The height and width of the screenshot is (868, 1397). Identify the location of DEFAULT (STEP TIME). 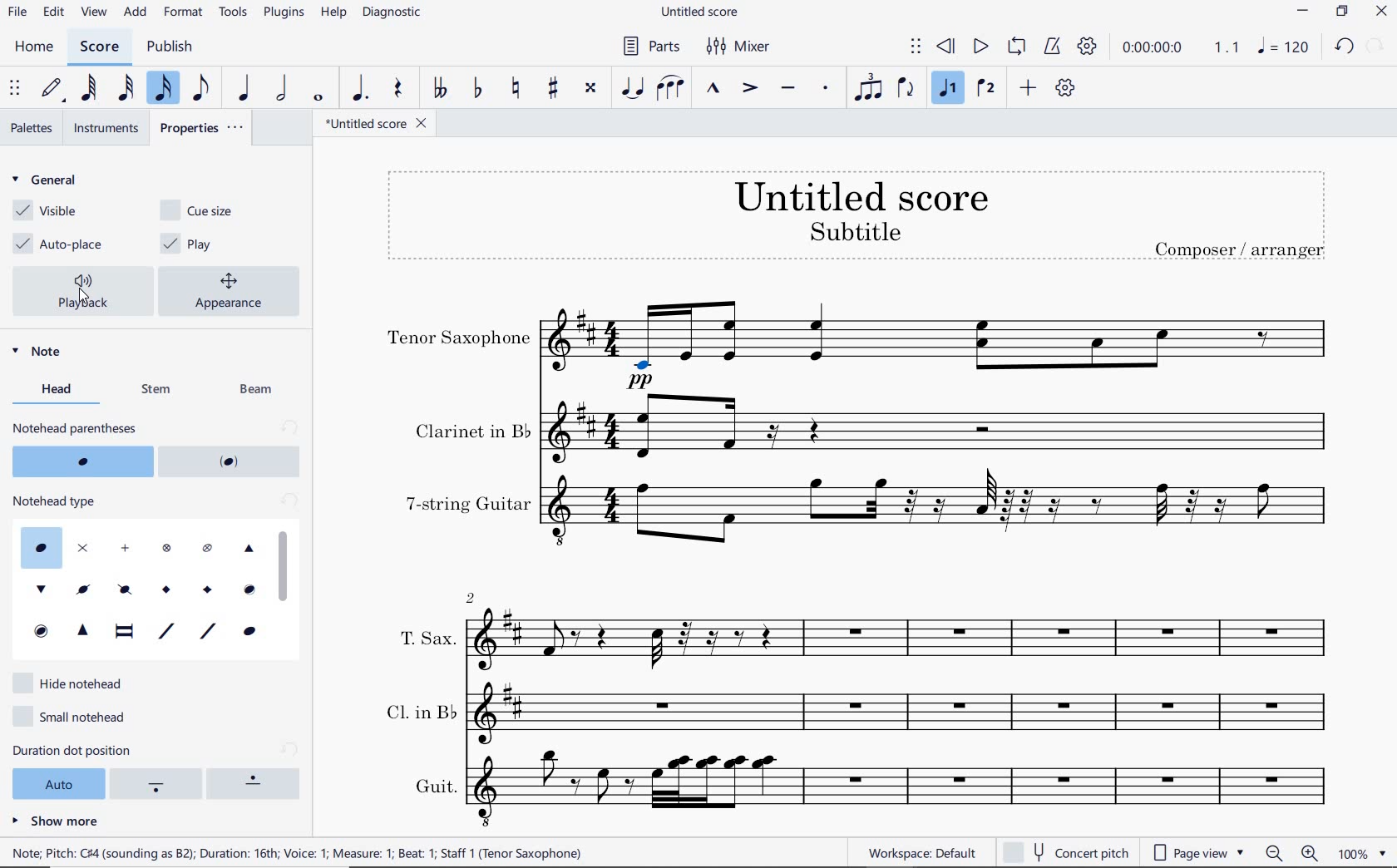
(54, 91).